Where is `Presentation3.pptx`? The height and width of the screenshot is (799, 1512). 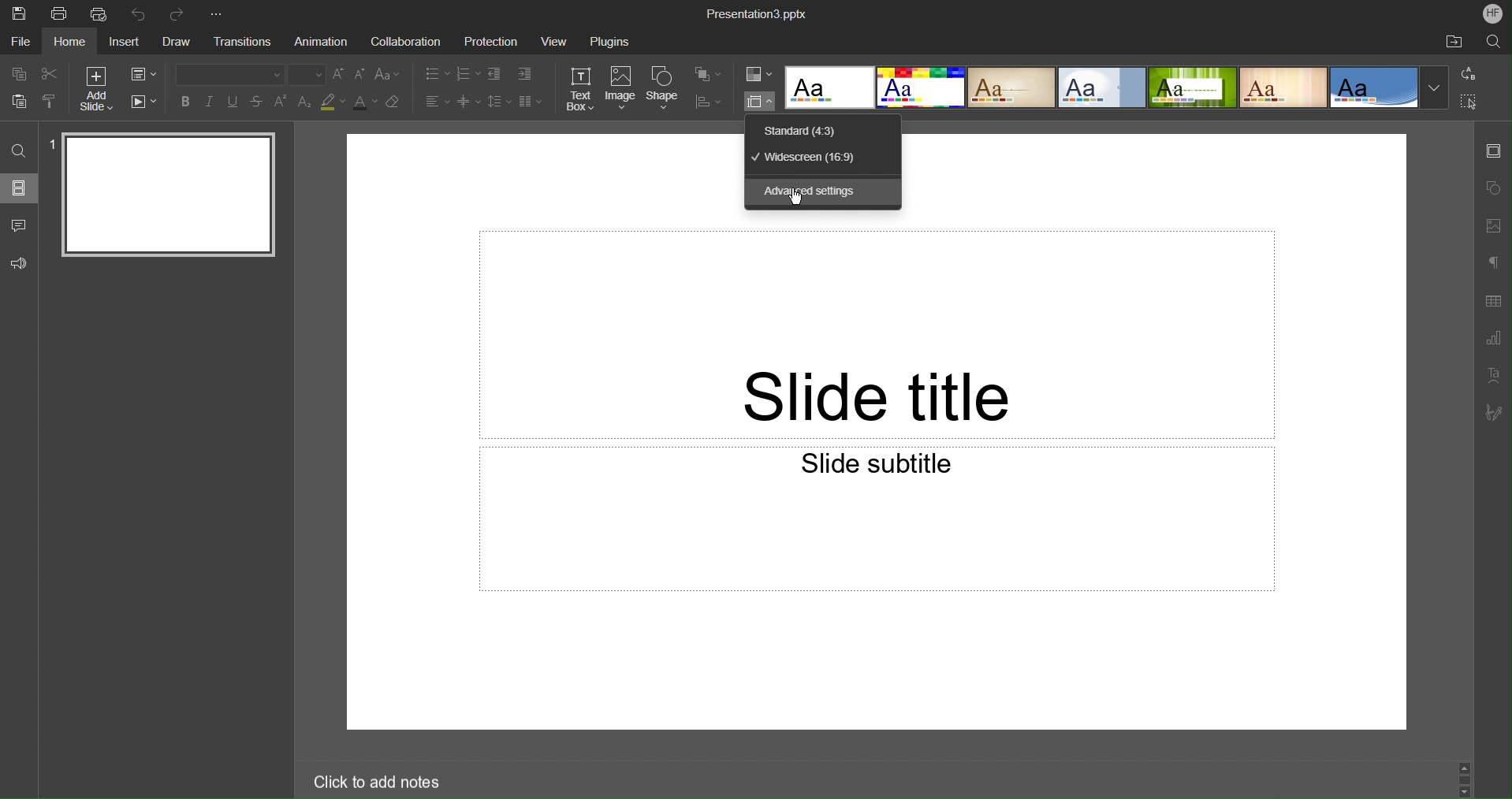
Presentation3.pptx is located at coordinates (758, 13).